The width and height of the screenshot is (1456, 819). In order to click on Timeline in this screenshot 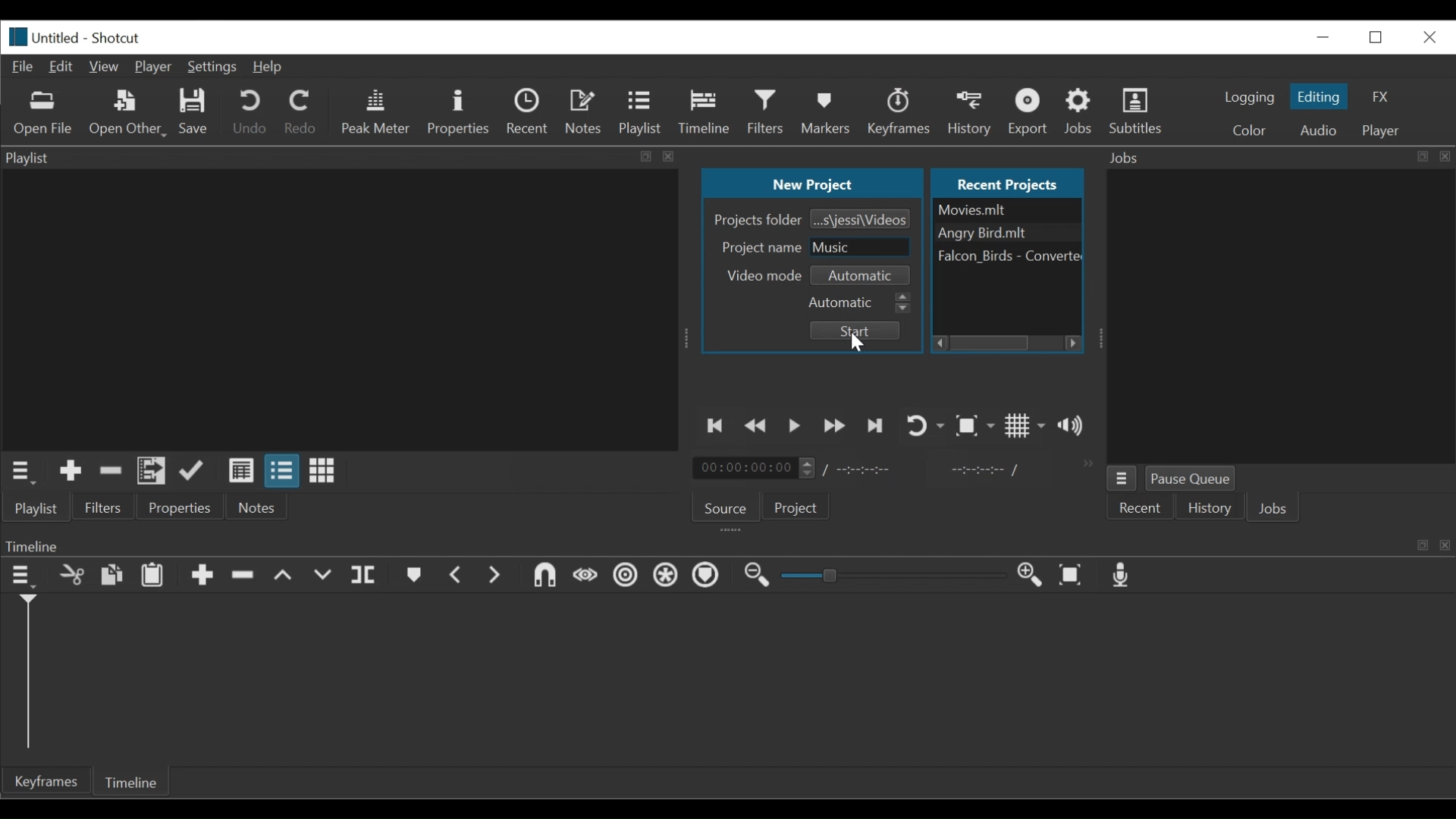, I will do `click(726, 543)`.